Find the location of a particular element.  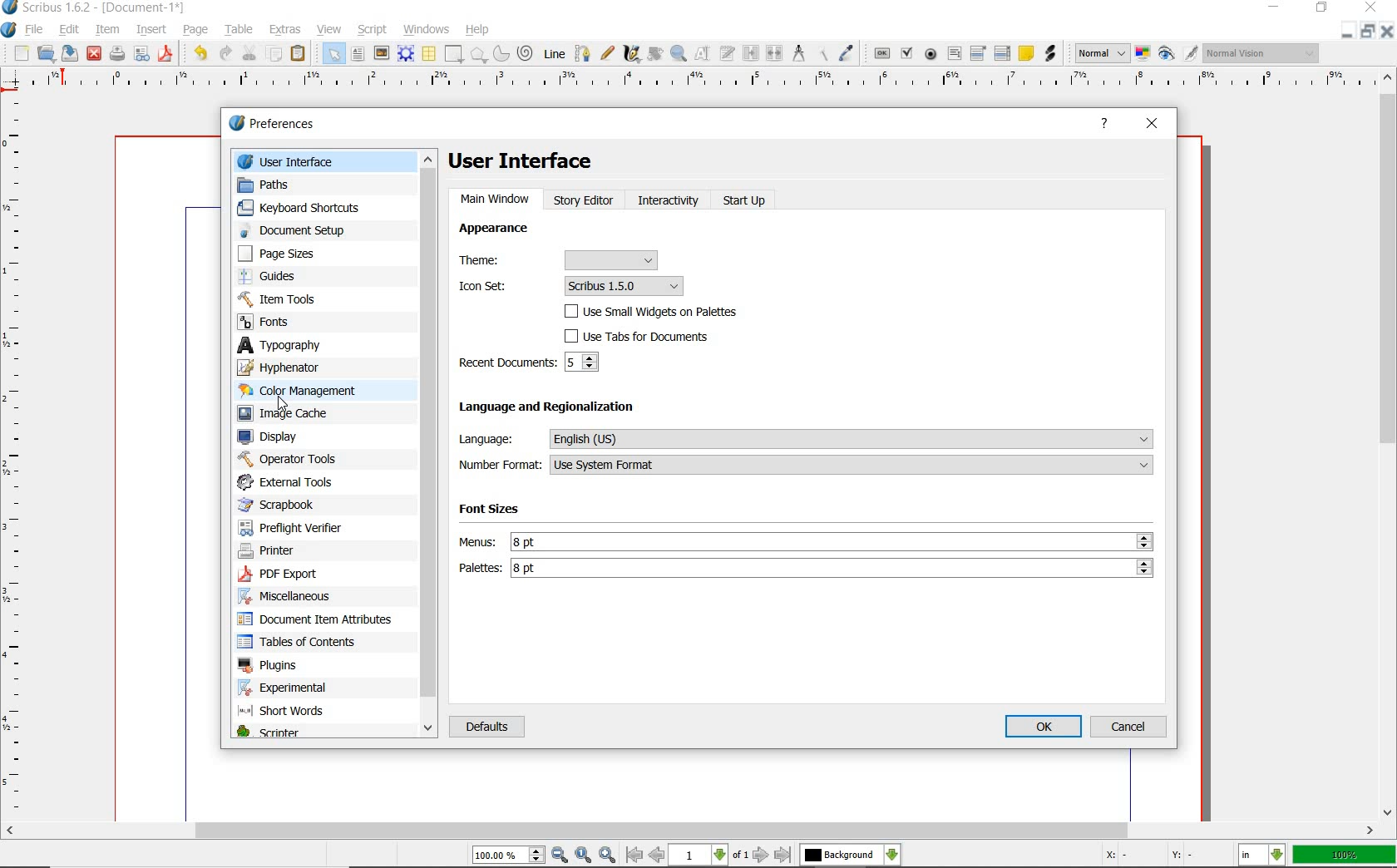

freehand line is located at coordinates (605, 52).